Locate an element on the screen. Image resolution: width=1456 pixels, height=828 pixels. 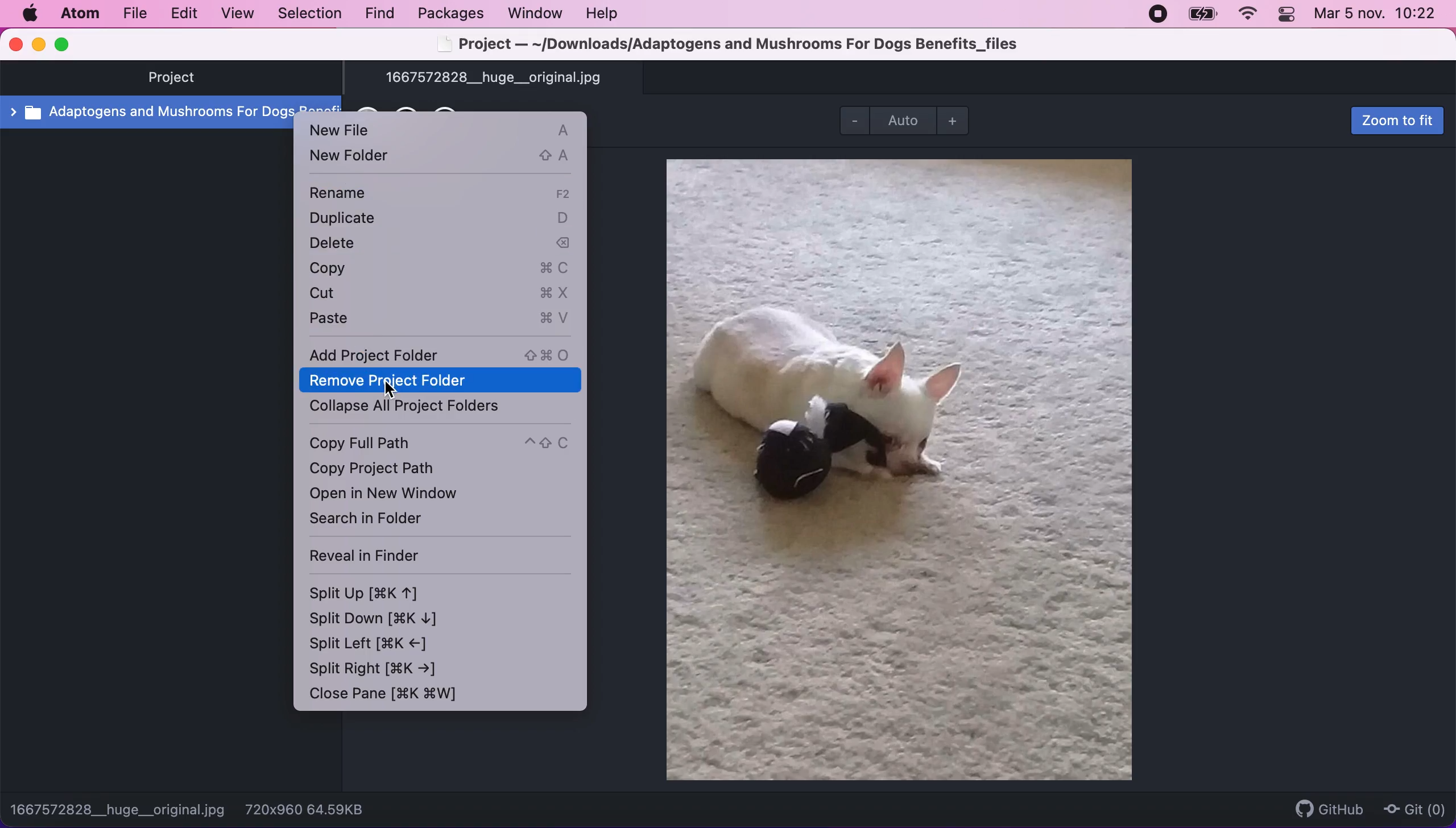
recording stopped is located at coordinates (1159, 15).